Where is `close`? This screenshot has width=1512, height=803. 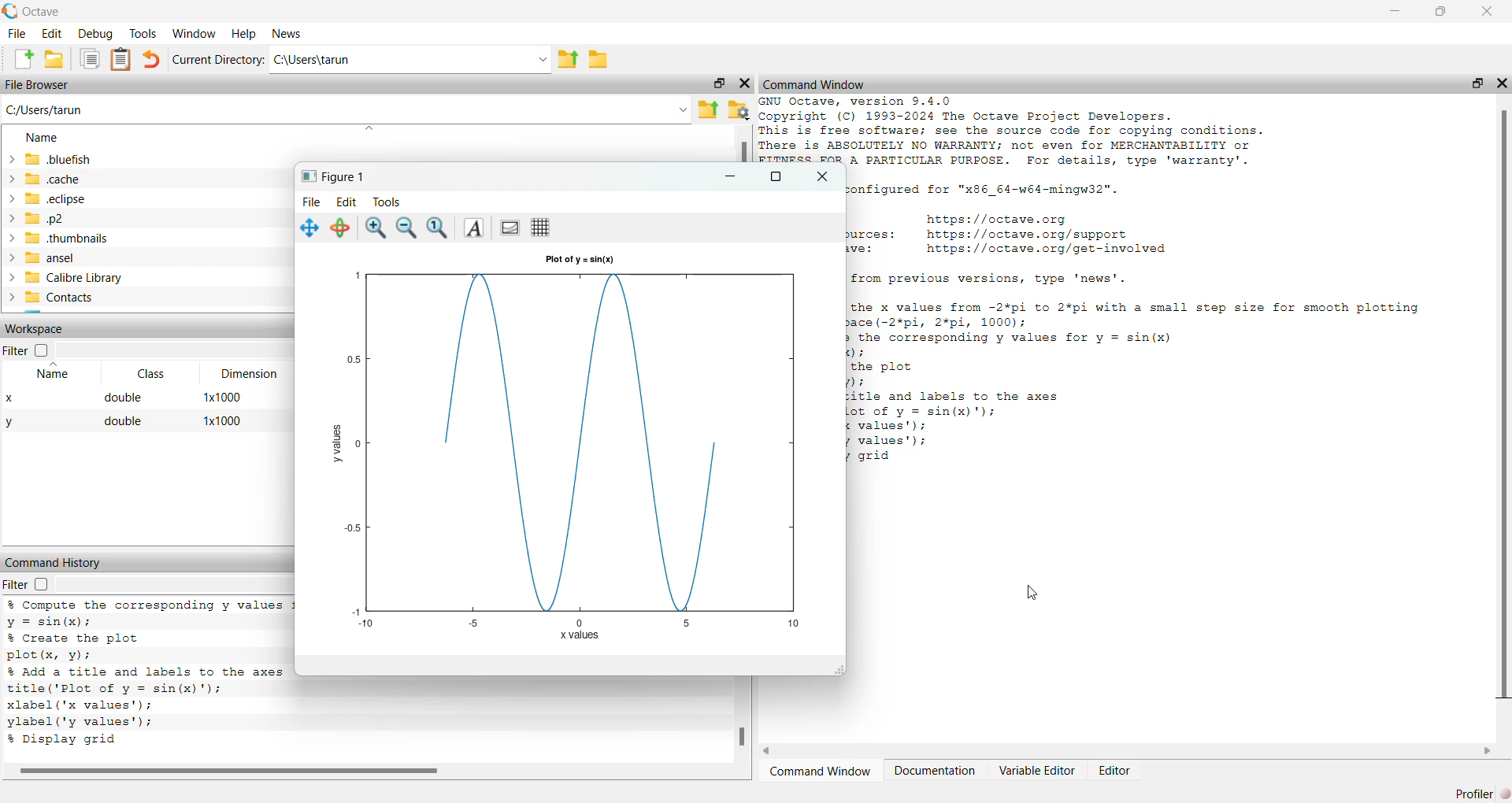 close is located at coordinates (1502, 83).